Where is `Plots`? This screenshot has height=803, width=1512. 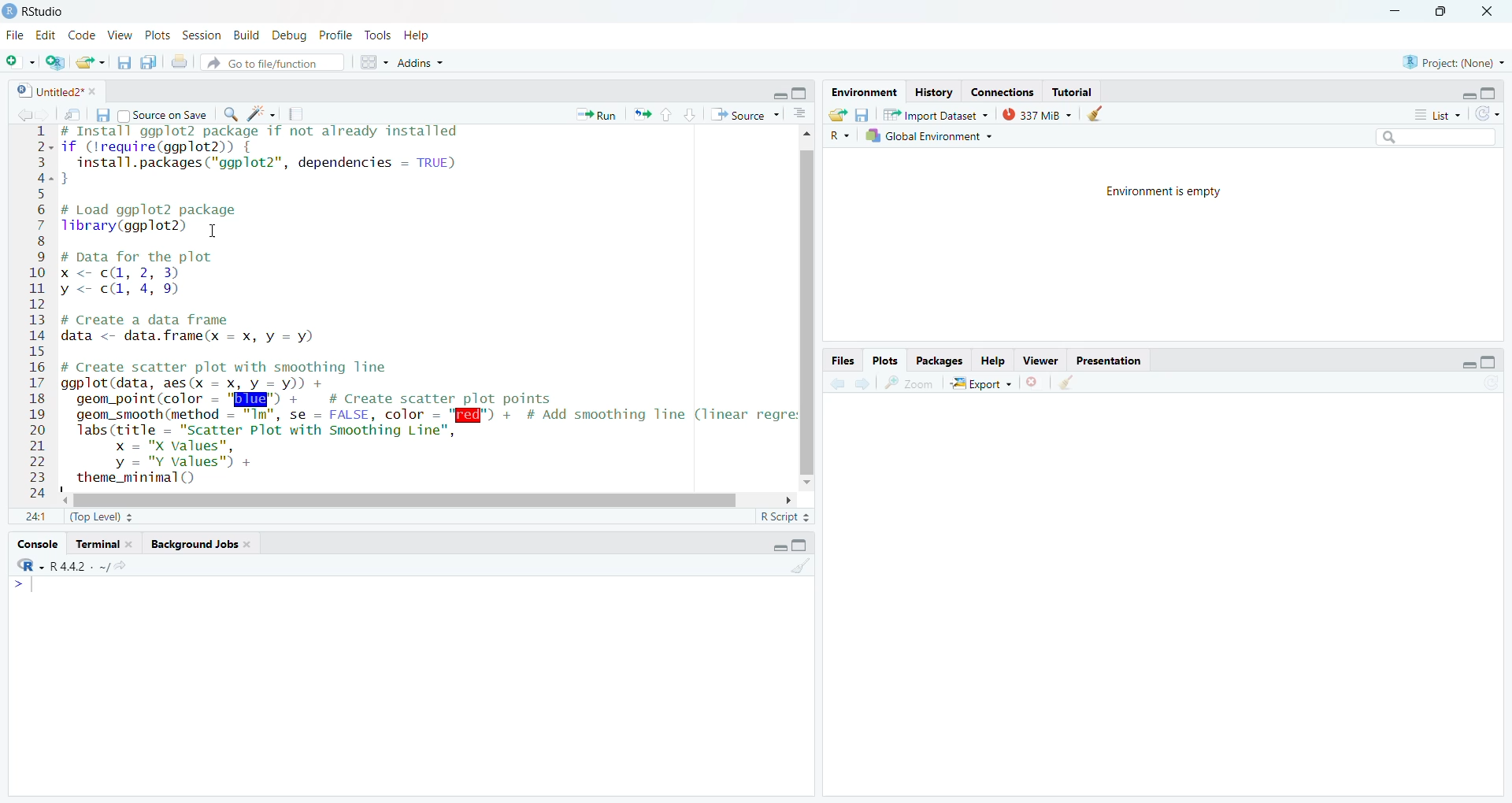 Plots is located at coordinates (885, 360).